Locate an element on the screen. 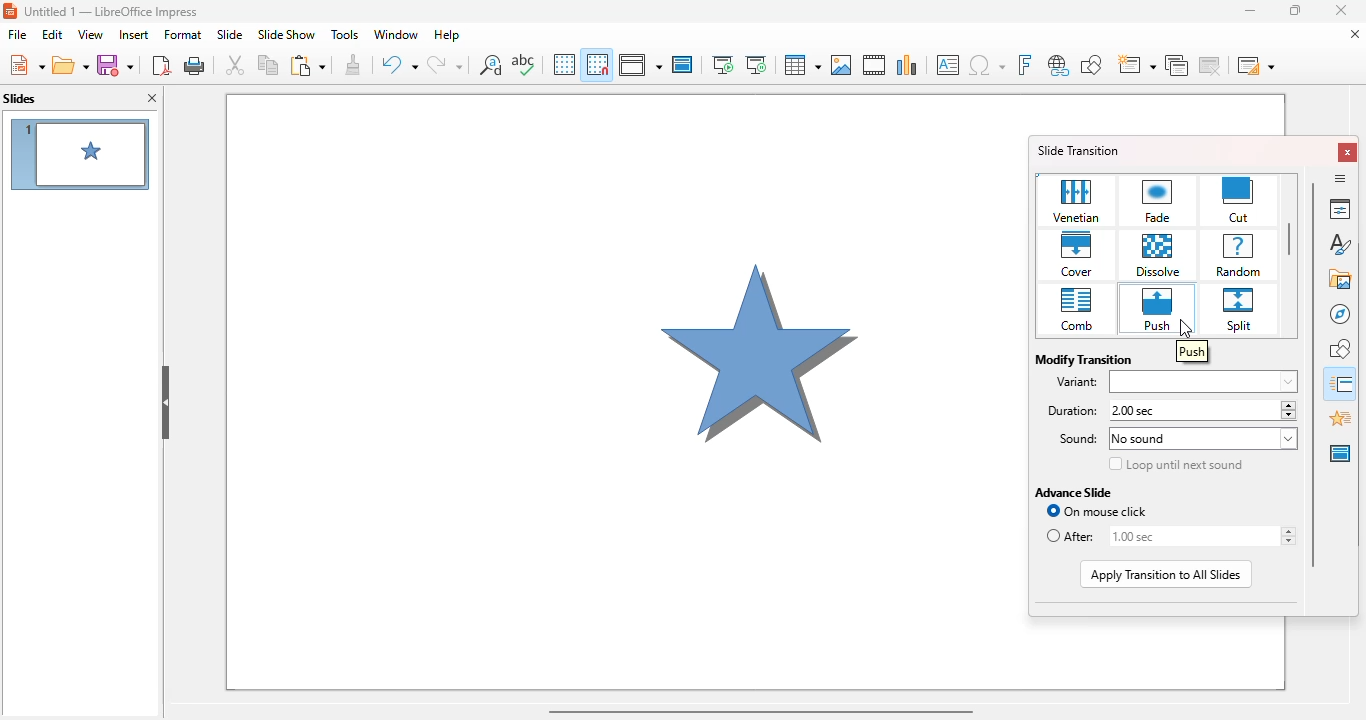  maximize is located at coordinates (1294, 10).